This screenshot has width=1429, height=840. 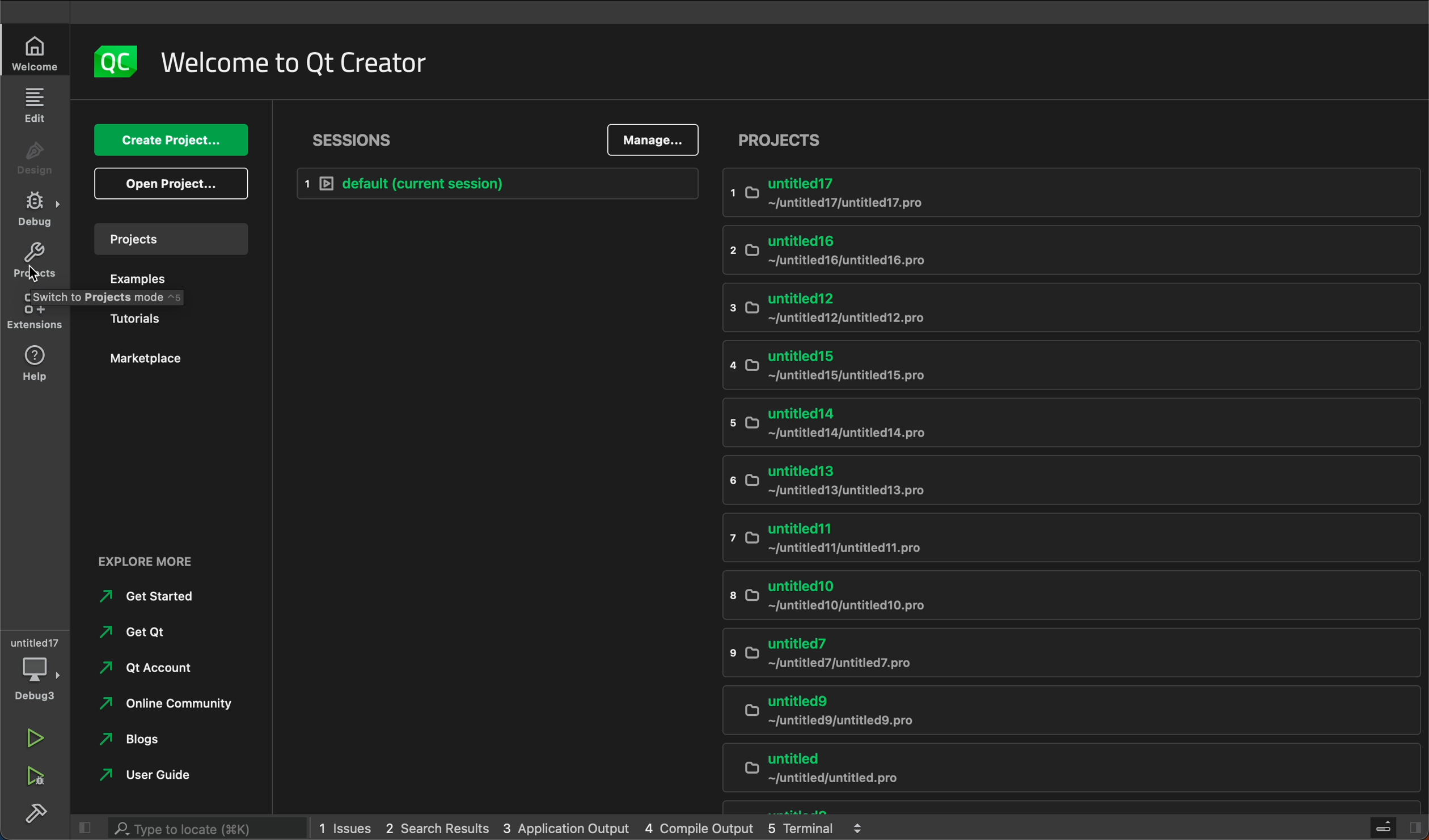 I want to click on Switch to projects mode, so click(x=107, y=297).